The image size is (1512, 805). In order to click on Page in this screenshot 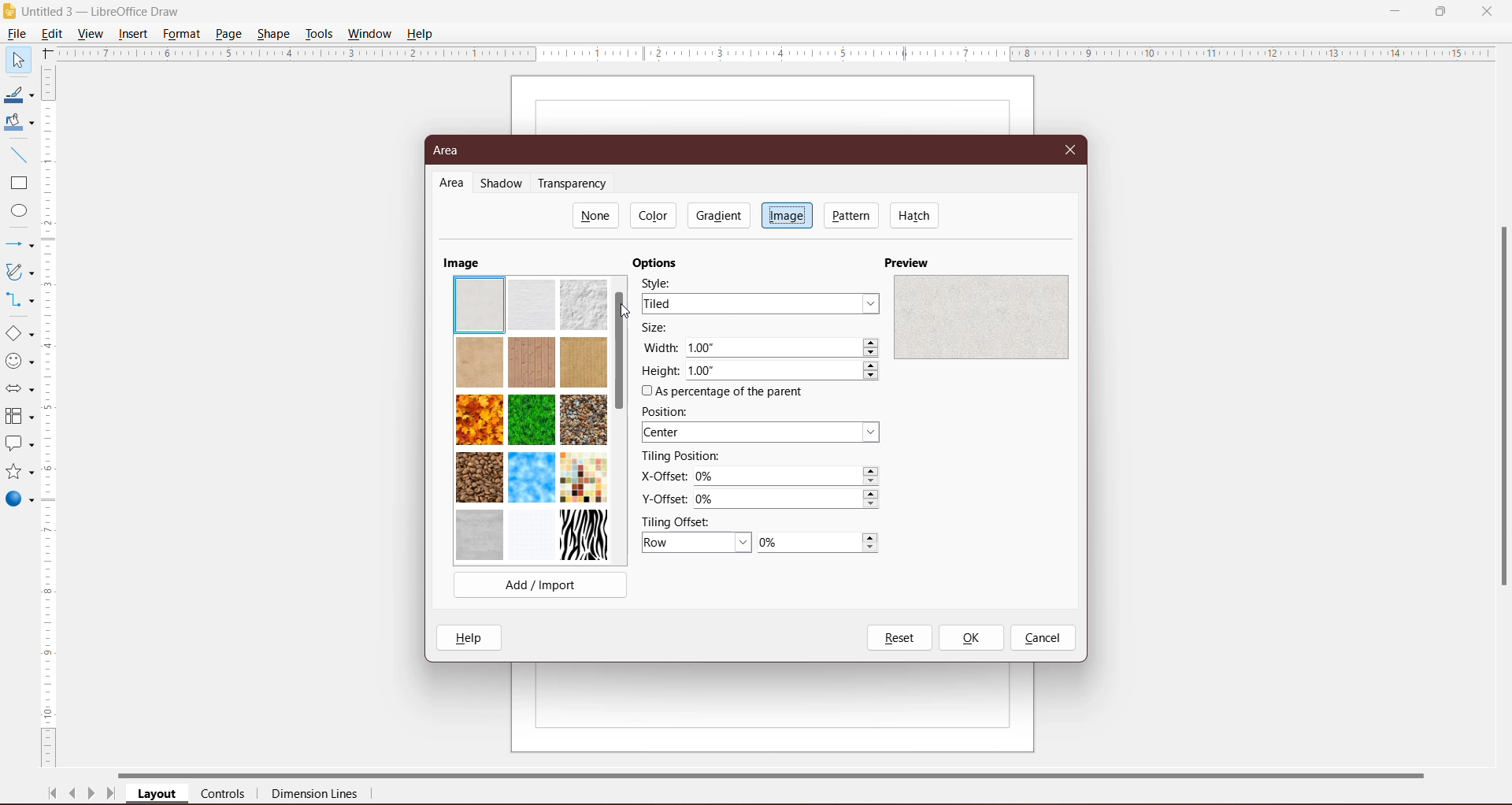, I will do `click(228, 33)`.